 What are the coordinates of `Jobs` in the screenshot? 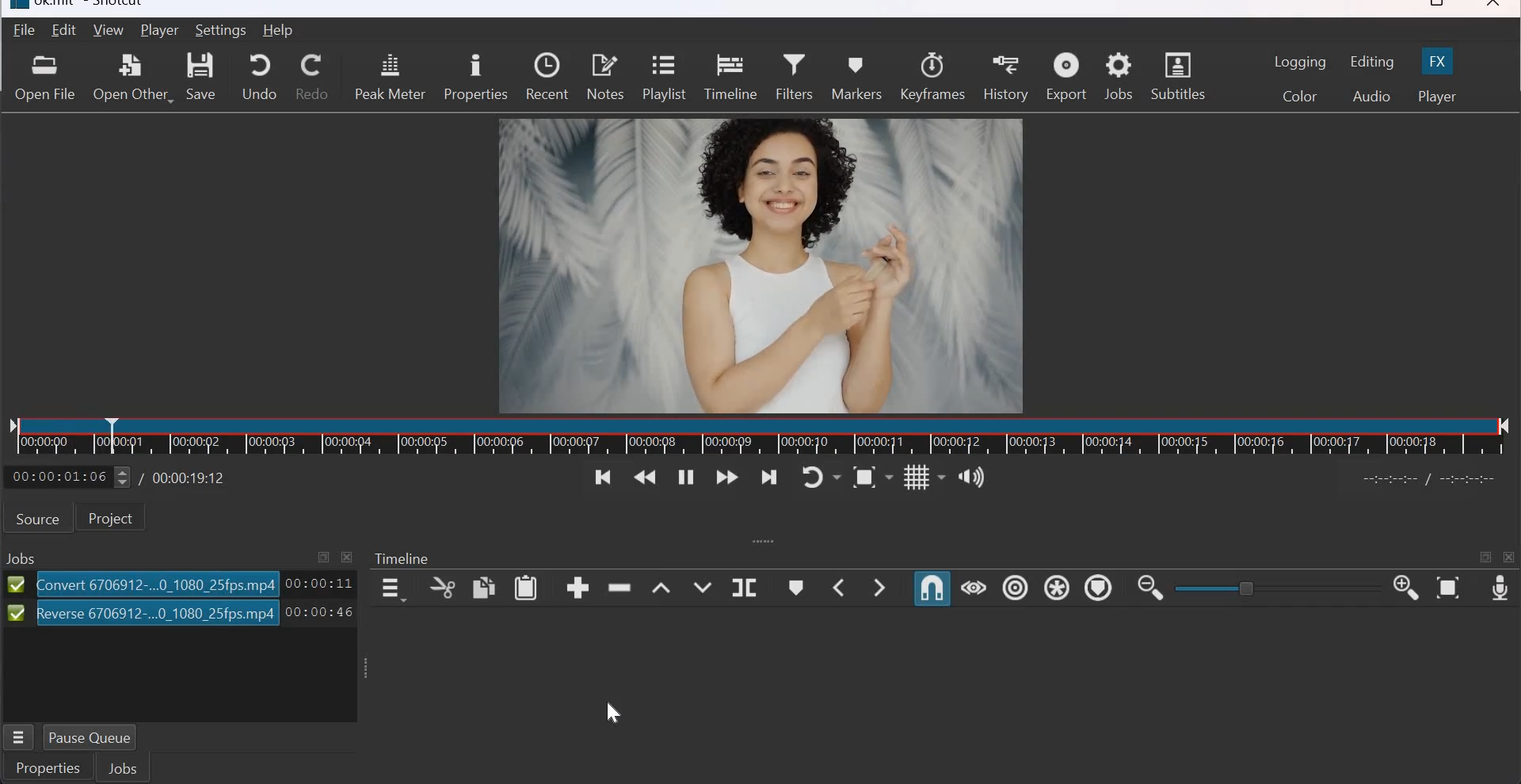 It's located at (131, 767).